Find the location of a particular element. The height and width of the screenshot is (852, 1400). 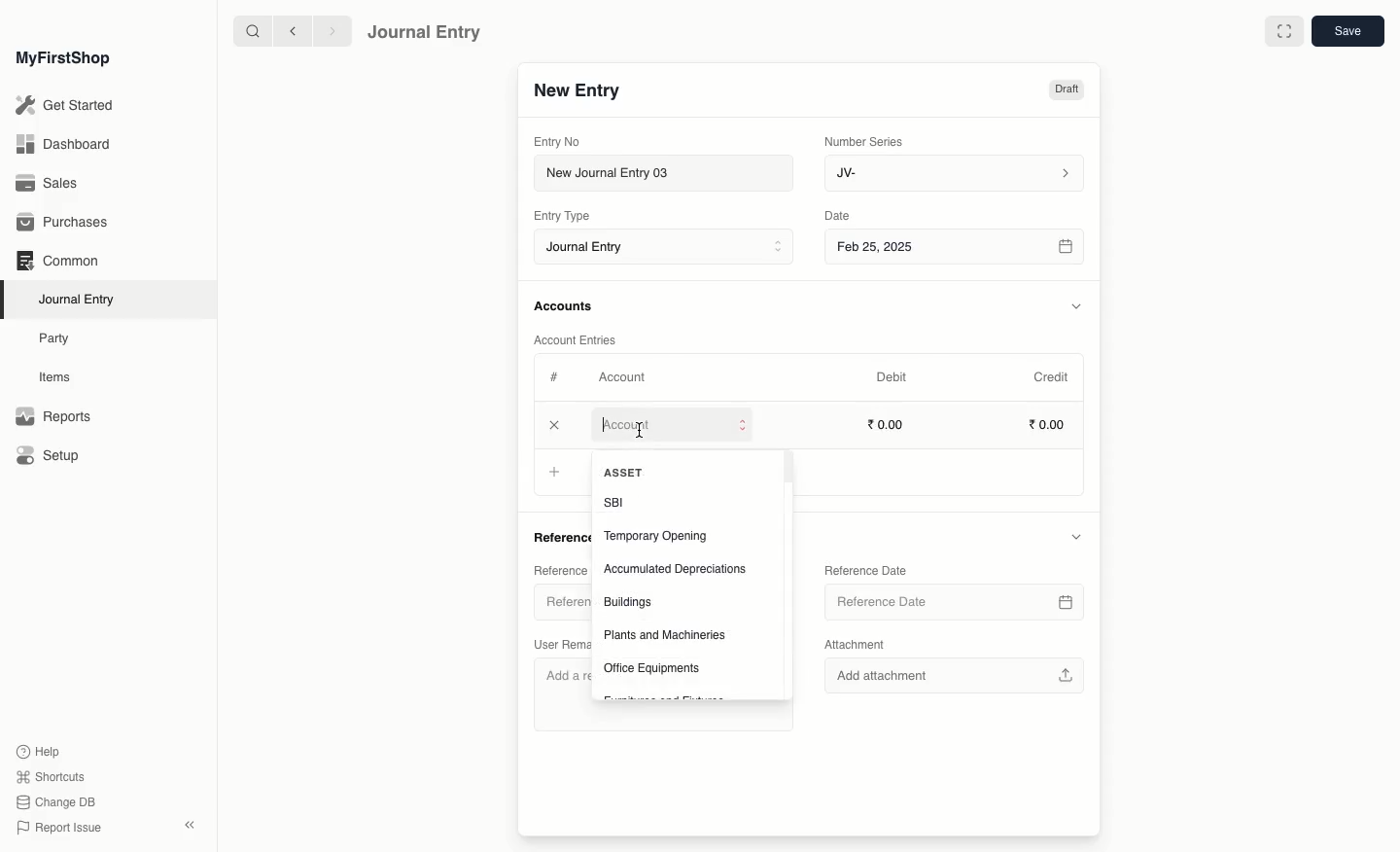

forward > is located at coordinates (328, 30).